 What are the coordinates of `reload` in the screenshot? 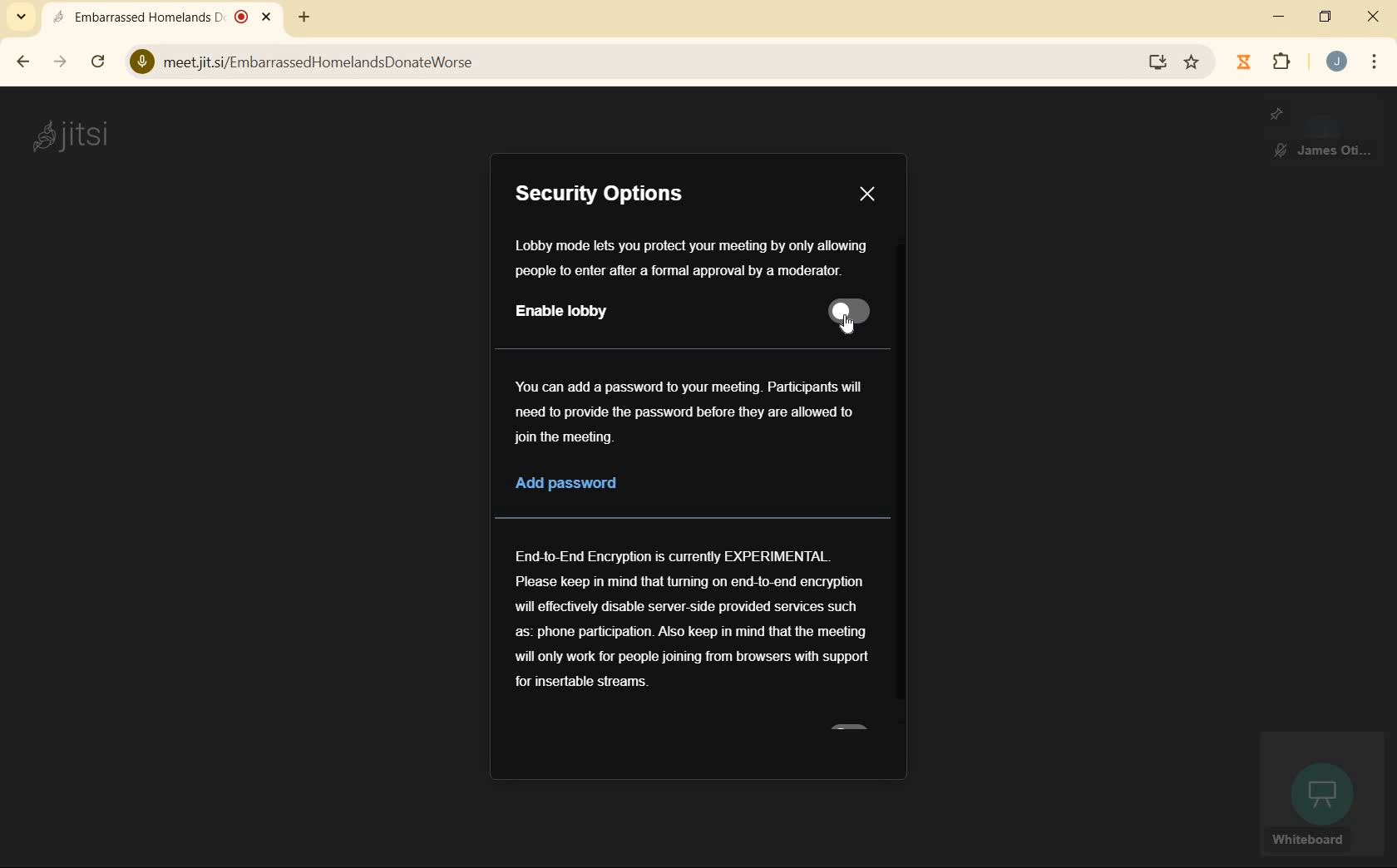 It's located at (99, 62).